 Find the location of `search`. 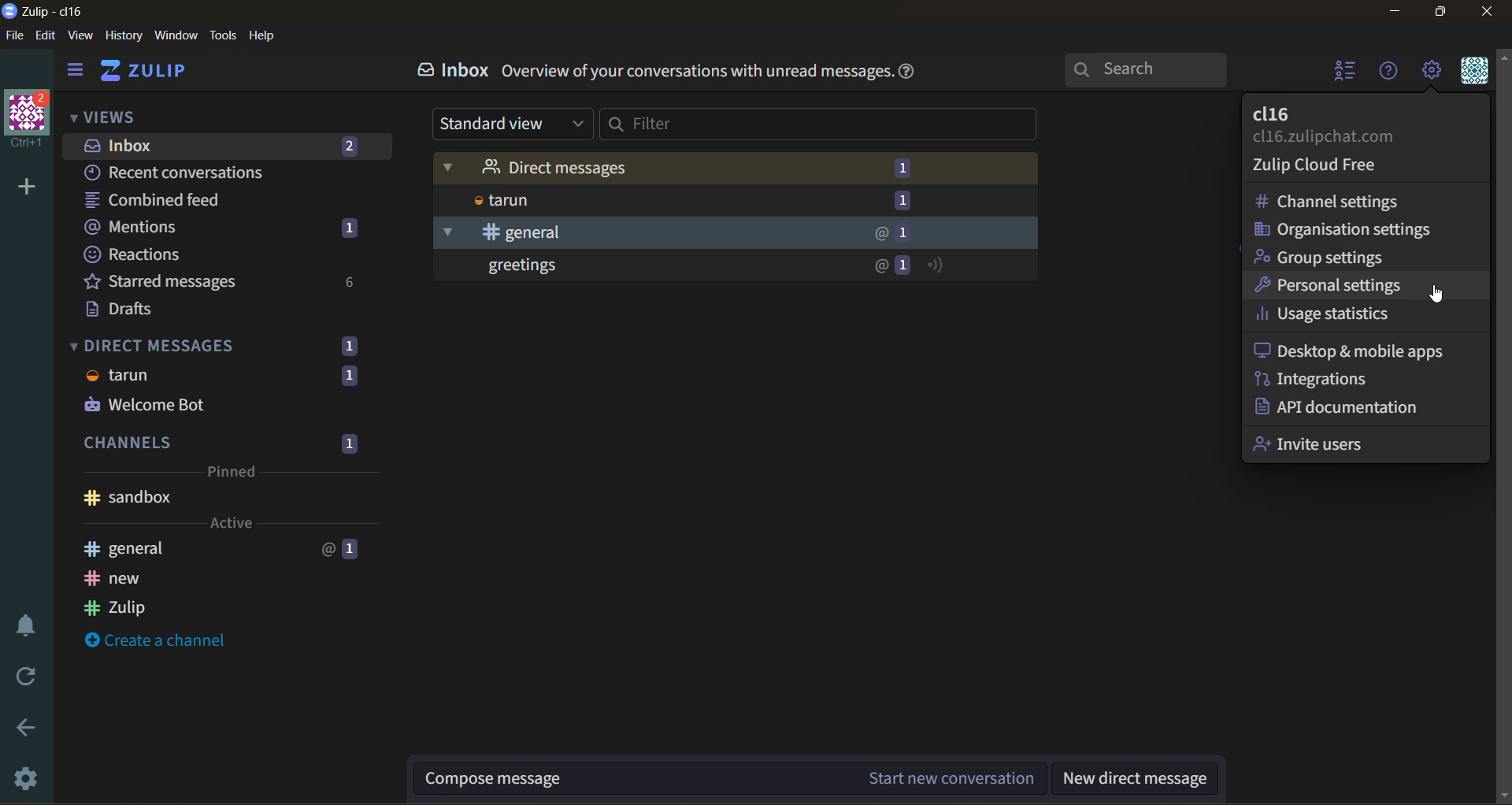

search is located at coordinates (1143, 70).